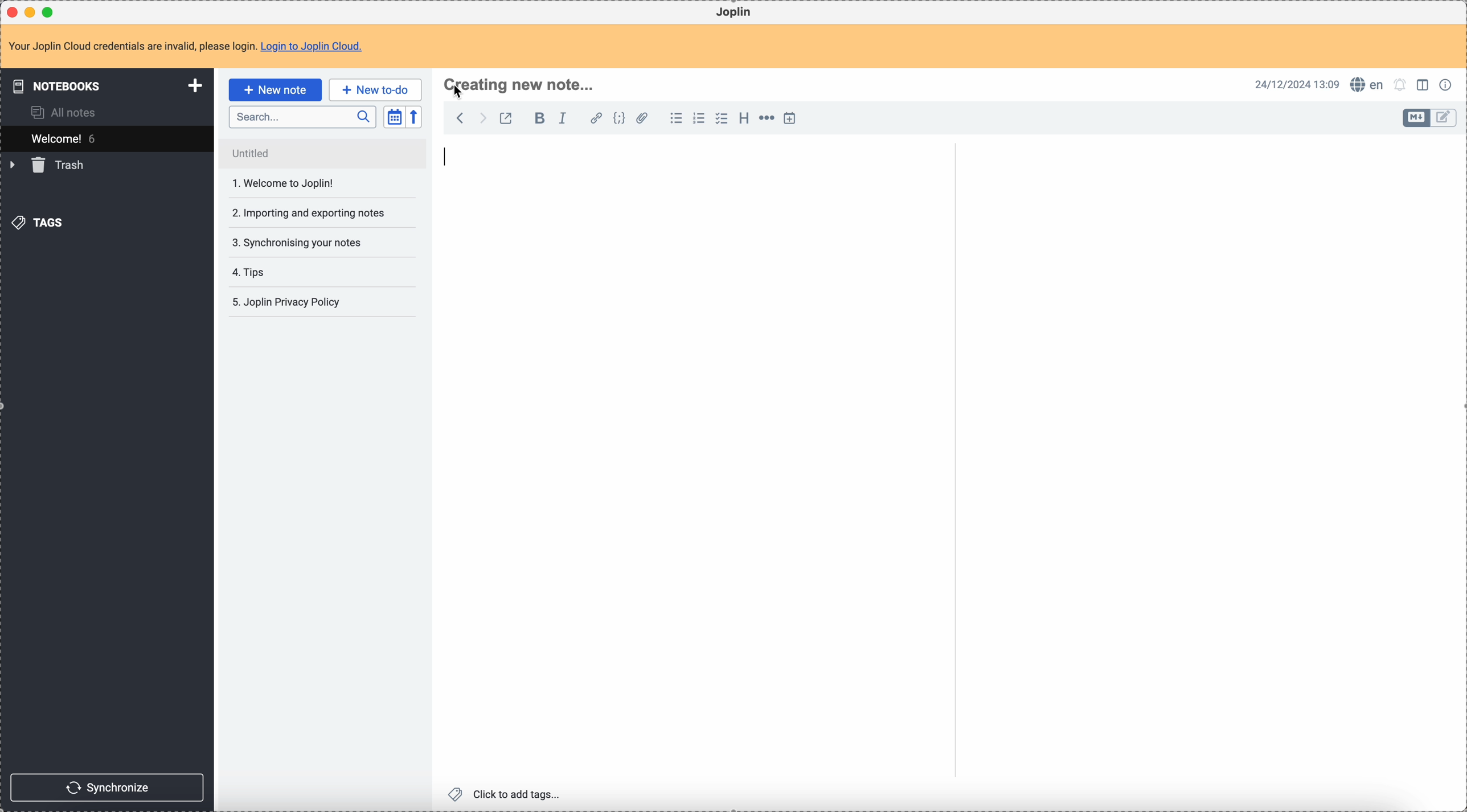 The height and width of the screenshot is (812, 1467). What do you see at coordinates (700, 118) in the screenshot?
I see `numbered list` at bounding box center [700, 118].